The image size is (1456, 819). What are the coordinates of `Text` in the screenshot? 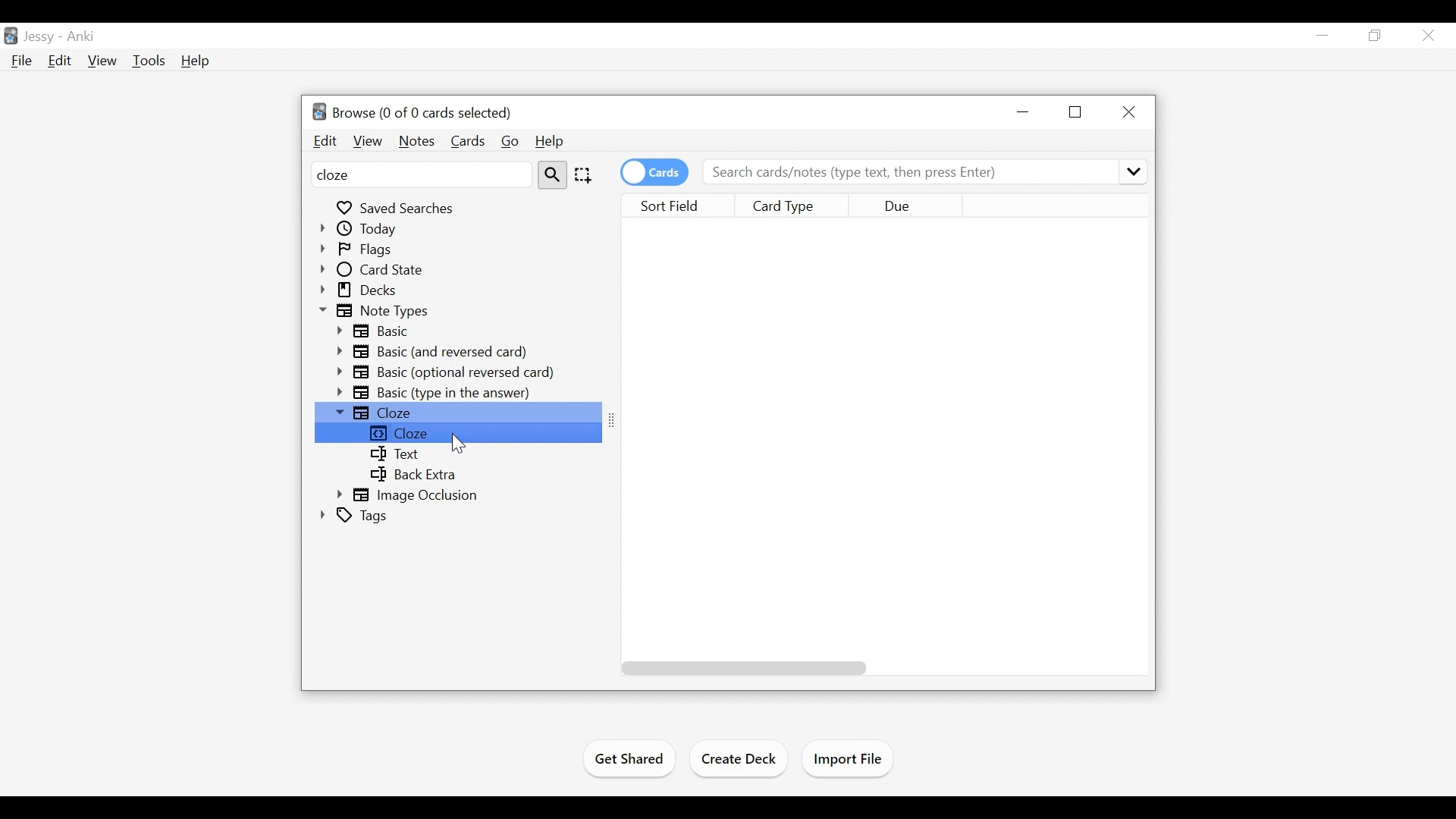 It's located at (395, 455).